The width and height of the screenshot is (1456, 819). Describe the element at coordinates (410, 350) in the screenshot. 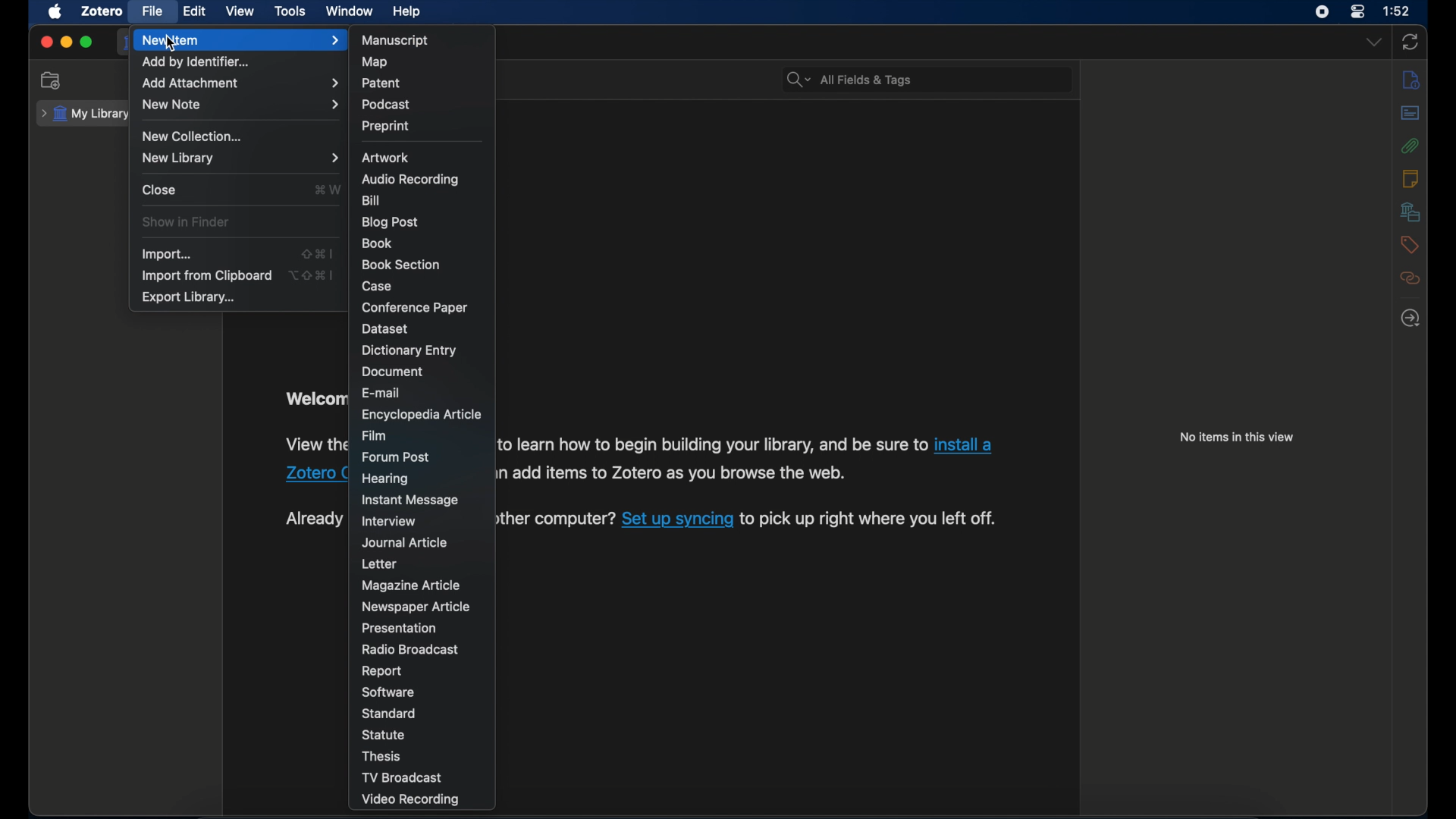

I see `dictionary entry` at that location.